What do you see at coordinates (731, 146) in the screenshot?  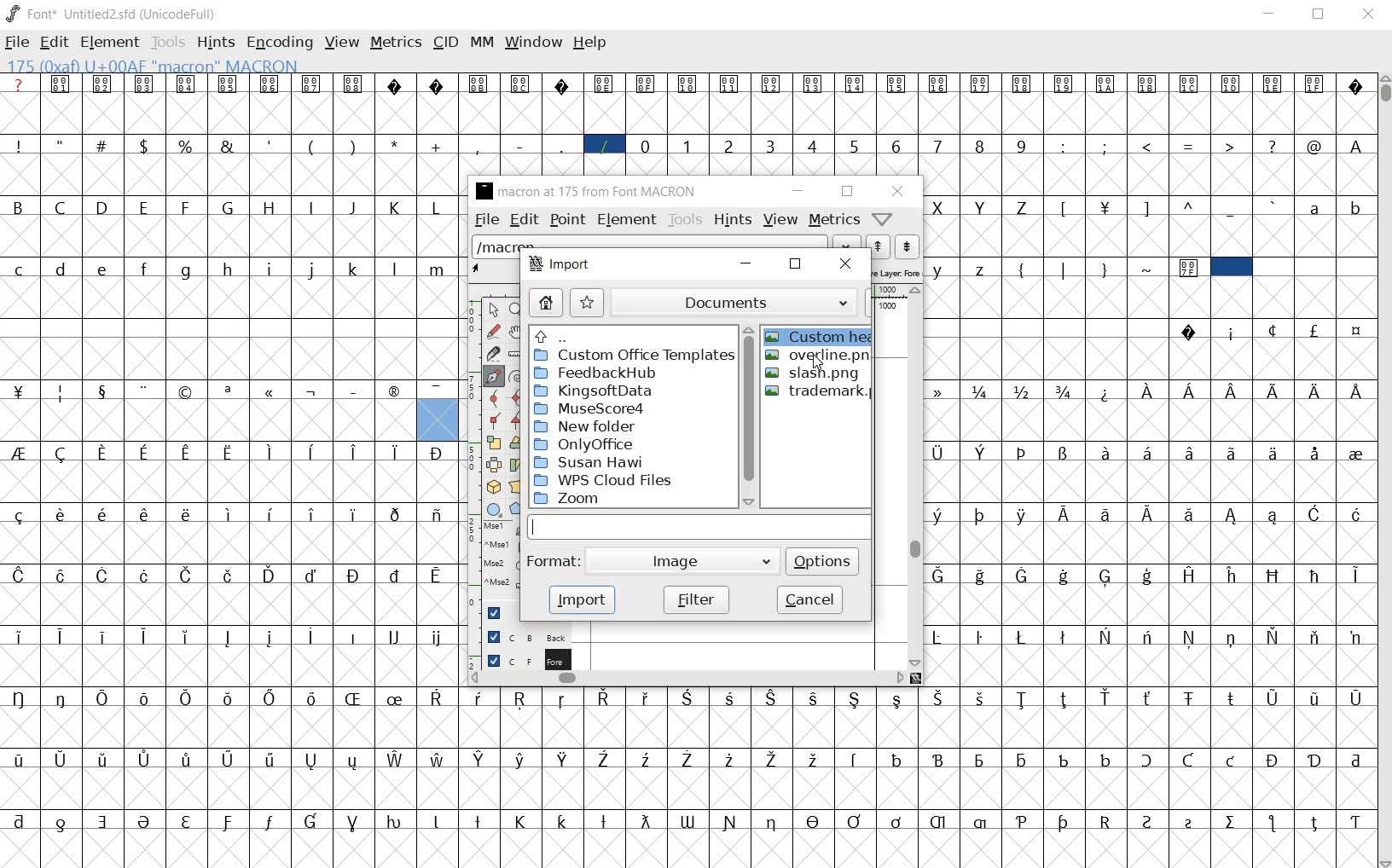 I see `2` at bounding box center [731, 146].